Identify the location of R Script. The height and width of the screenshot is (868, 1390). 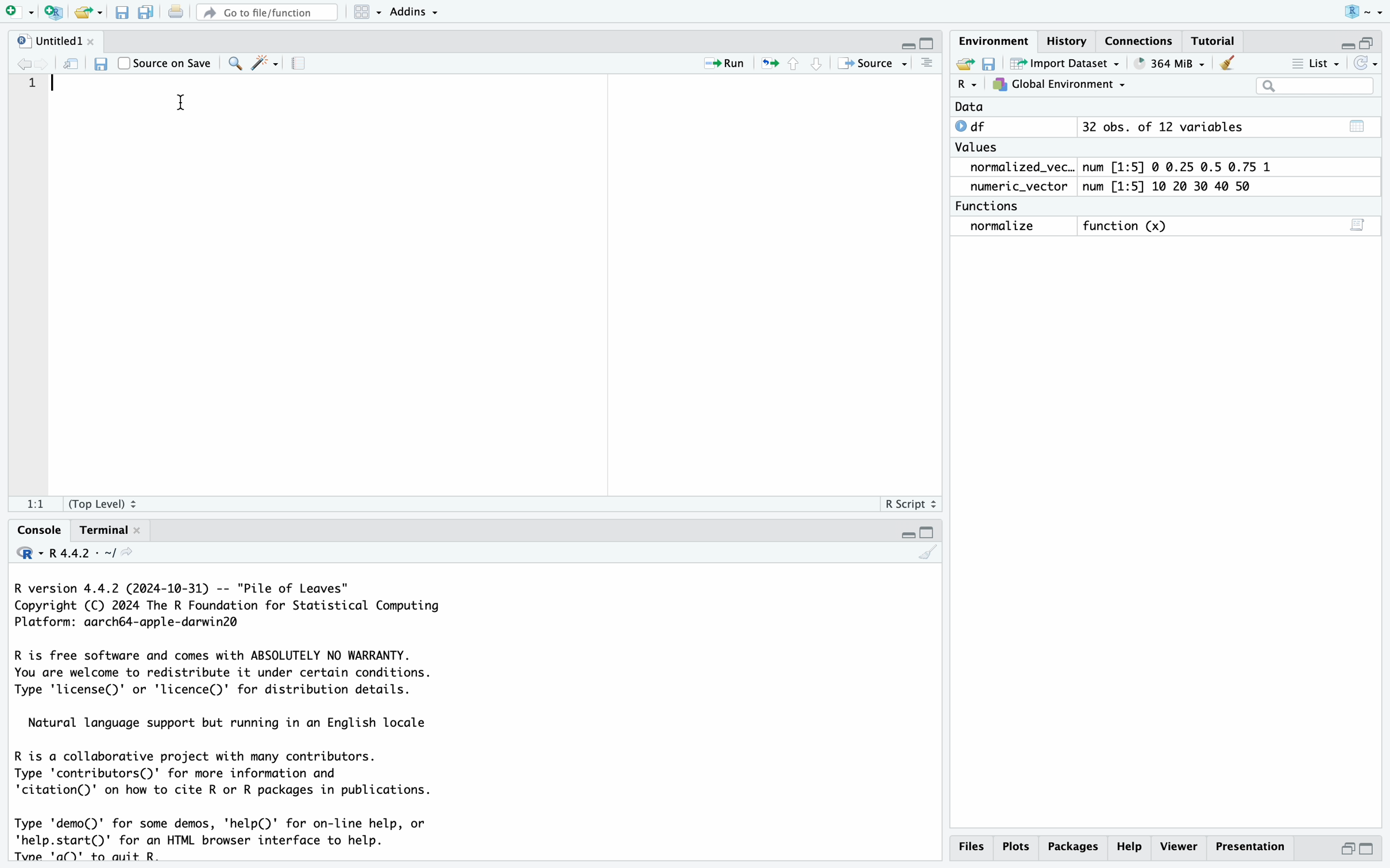
(910, 503).